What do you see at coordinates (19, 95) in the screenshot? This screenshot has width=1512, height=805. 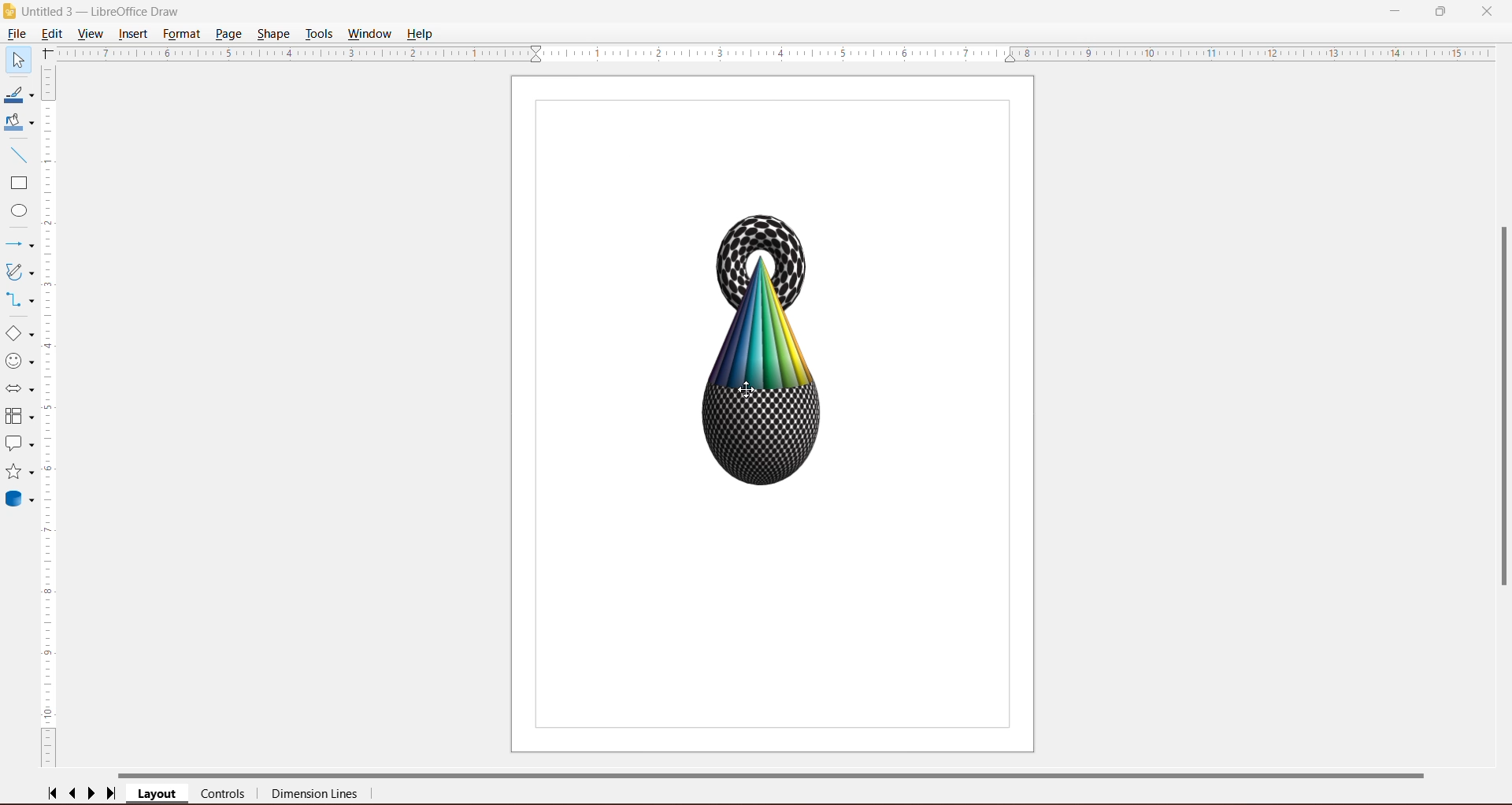 I see `Line Color` at bounding box center [19, 95].